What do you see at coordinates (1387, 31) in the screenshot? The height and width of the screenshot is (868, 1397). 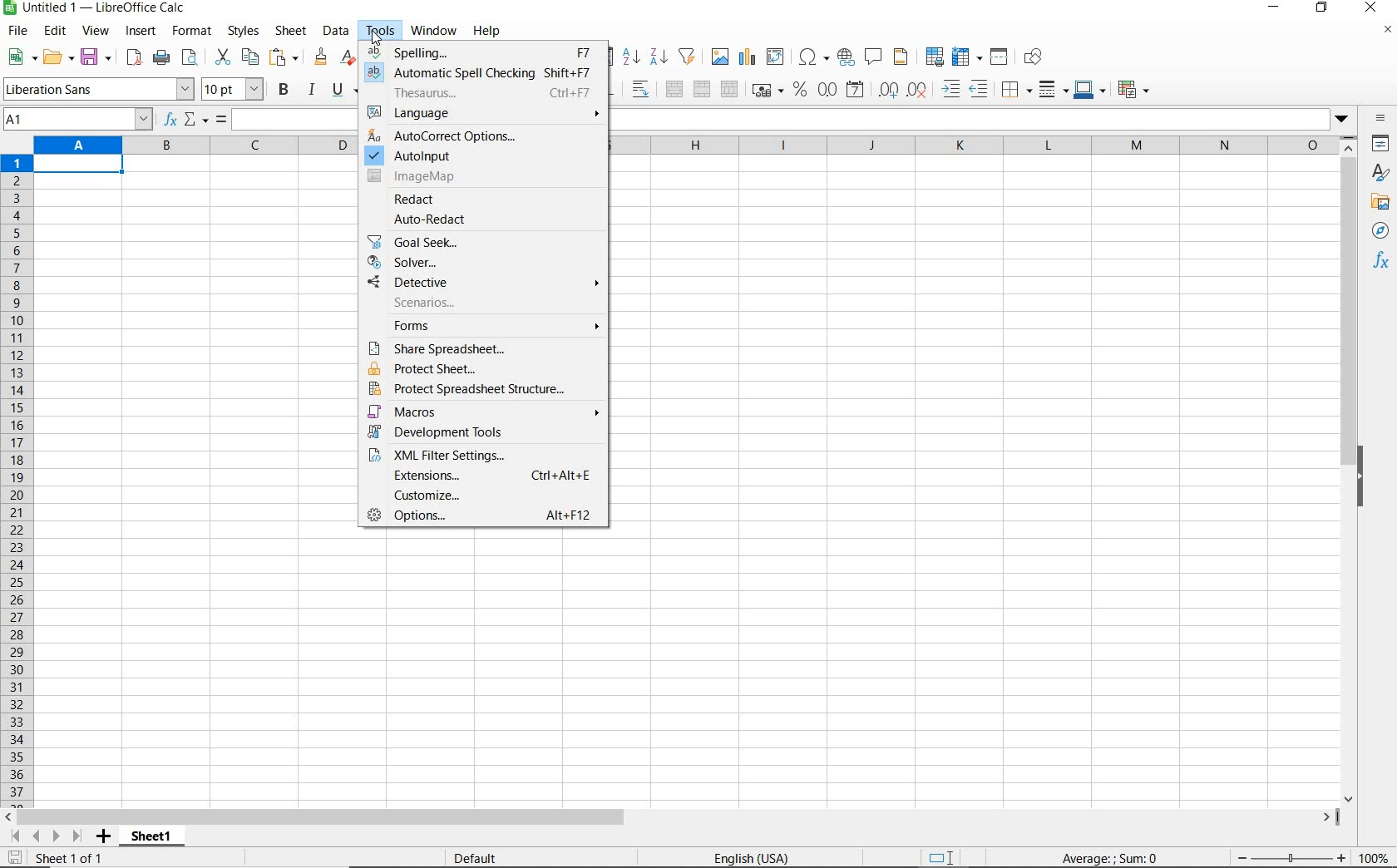 I see `CLOSE DOCUMENT` at bounding box center [1387, 31].